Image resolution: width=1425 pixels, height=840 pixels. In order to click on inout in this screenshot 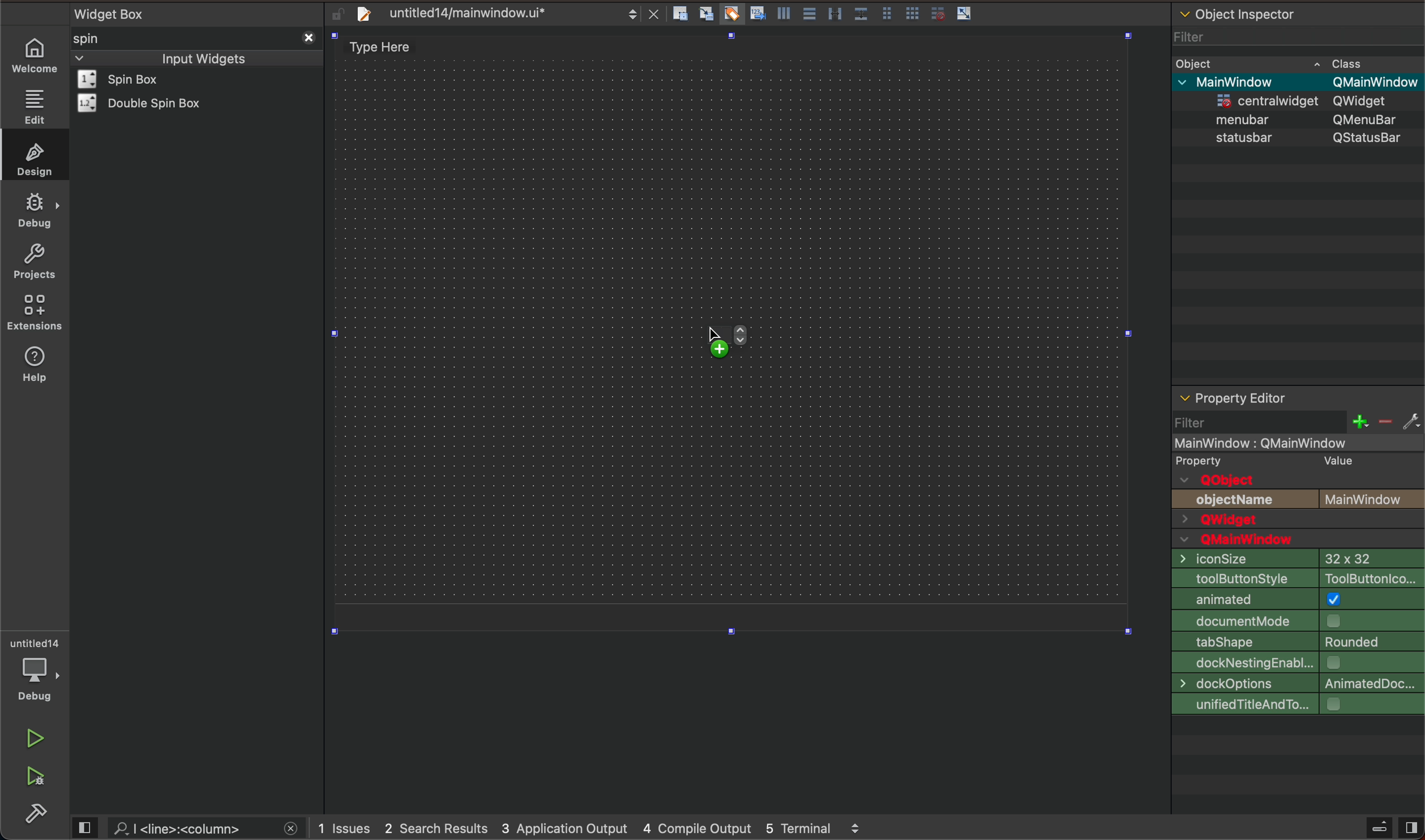, I will do `click(203, 57)`.